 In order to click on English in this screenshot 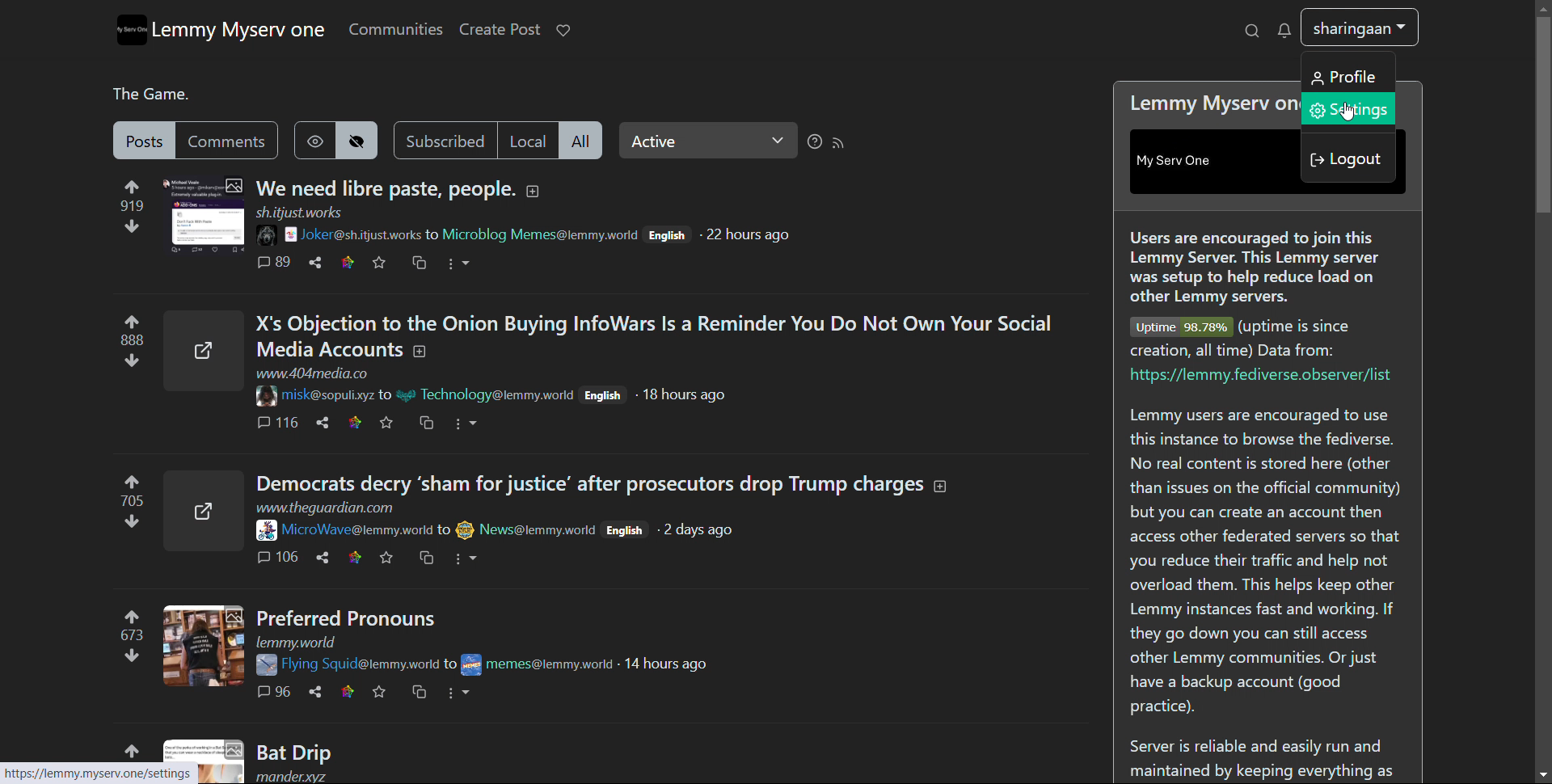, I will do `click(667, 235)`.